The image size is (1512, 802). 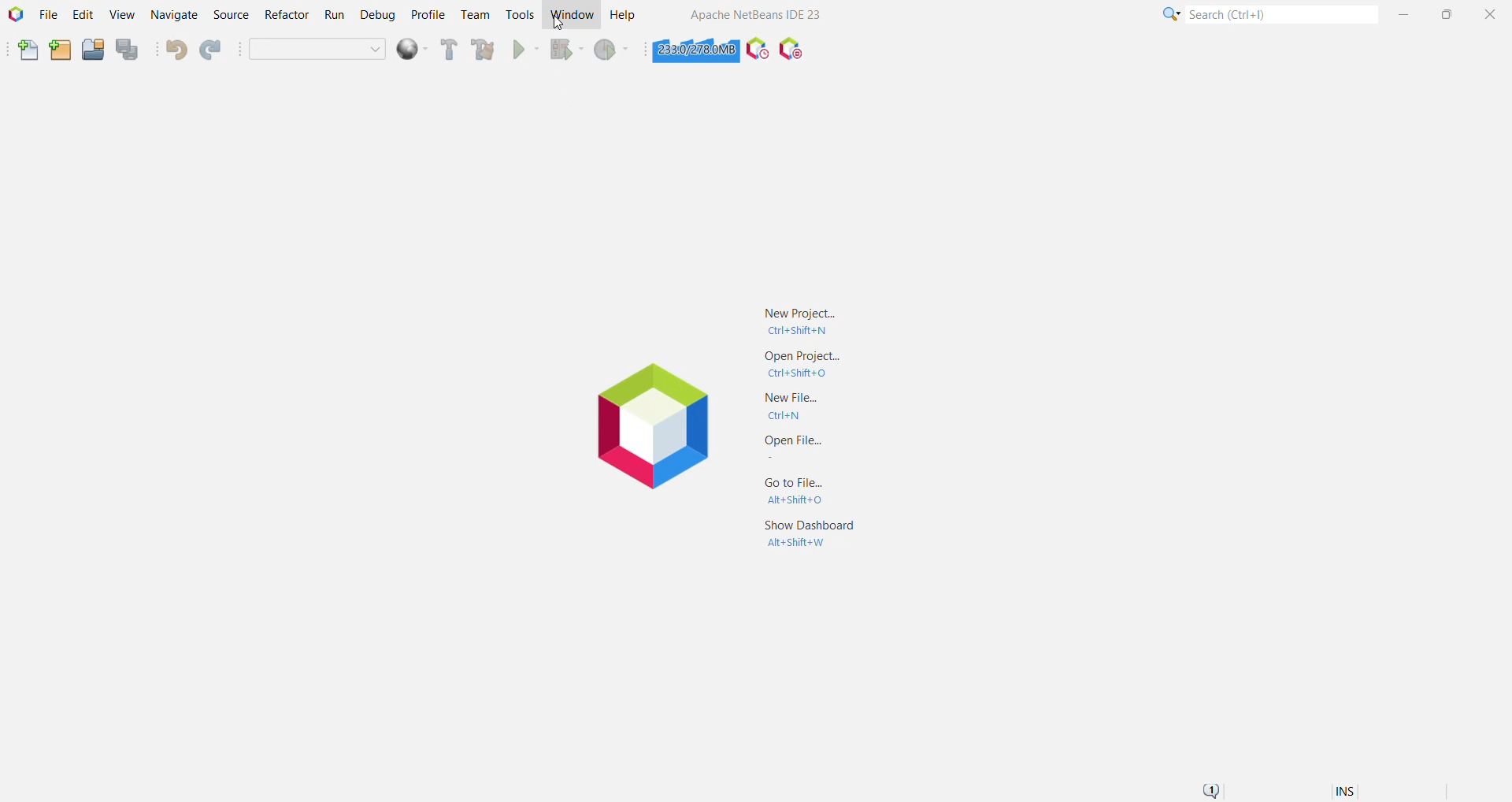 I want to click on Undo, so click(x=176, y=48).